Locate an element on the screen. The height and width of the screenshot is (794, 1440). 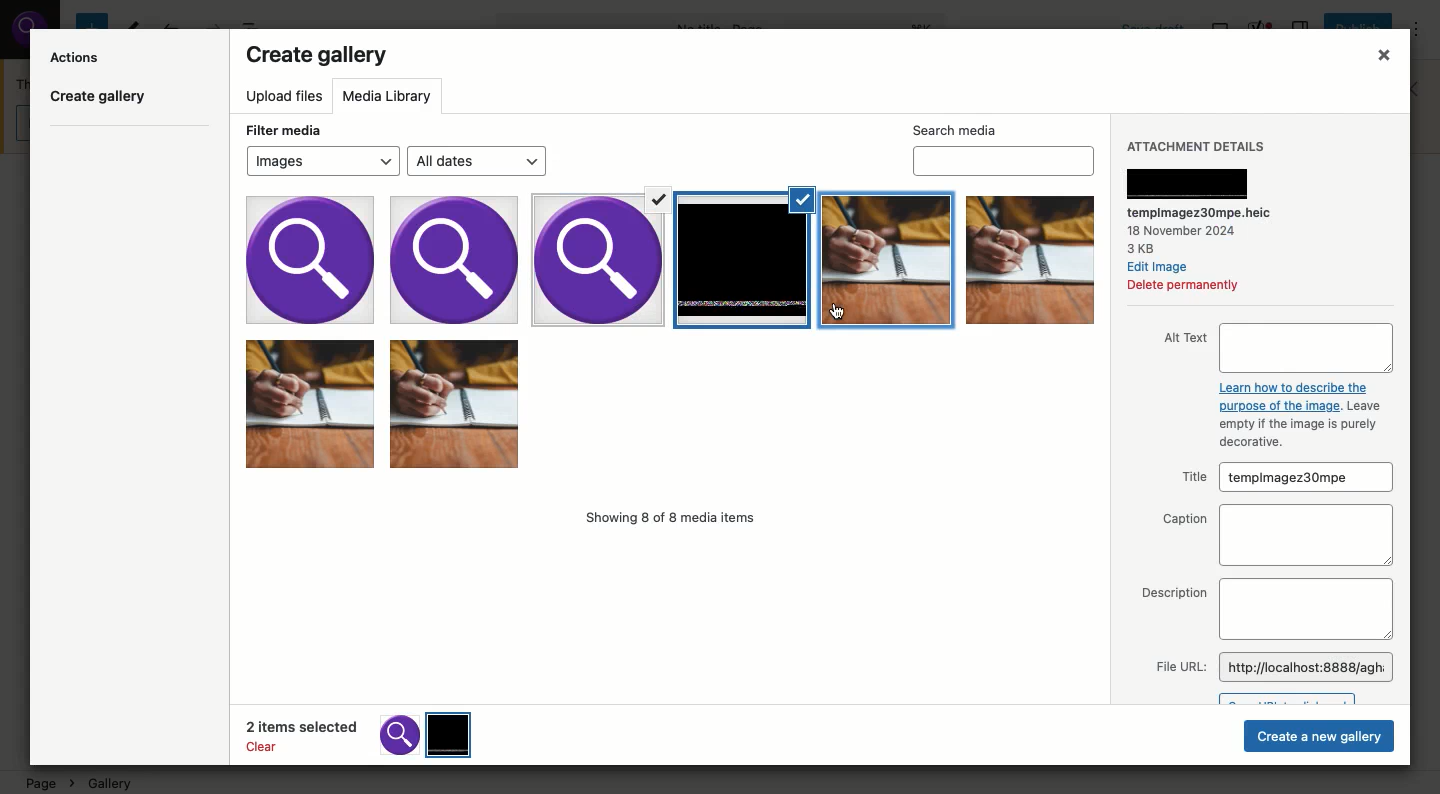
Media library is located at coordinates (391, 96).